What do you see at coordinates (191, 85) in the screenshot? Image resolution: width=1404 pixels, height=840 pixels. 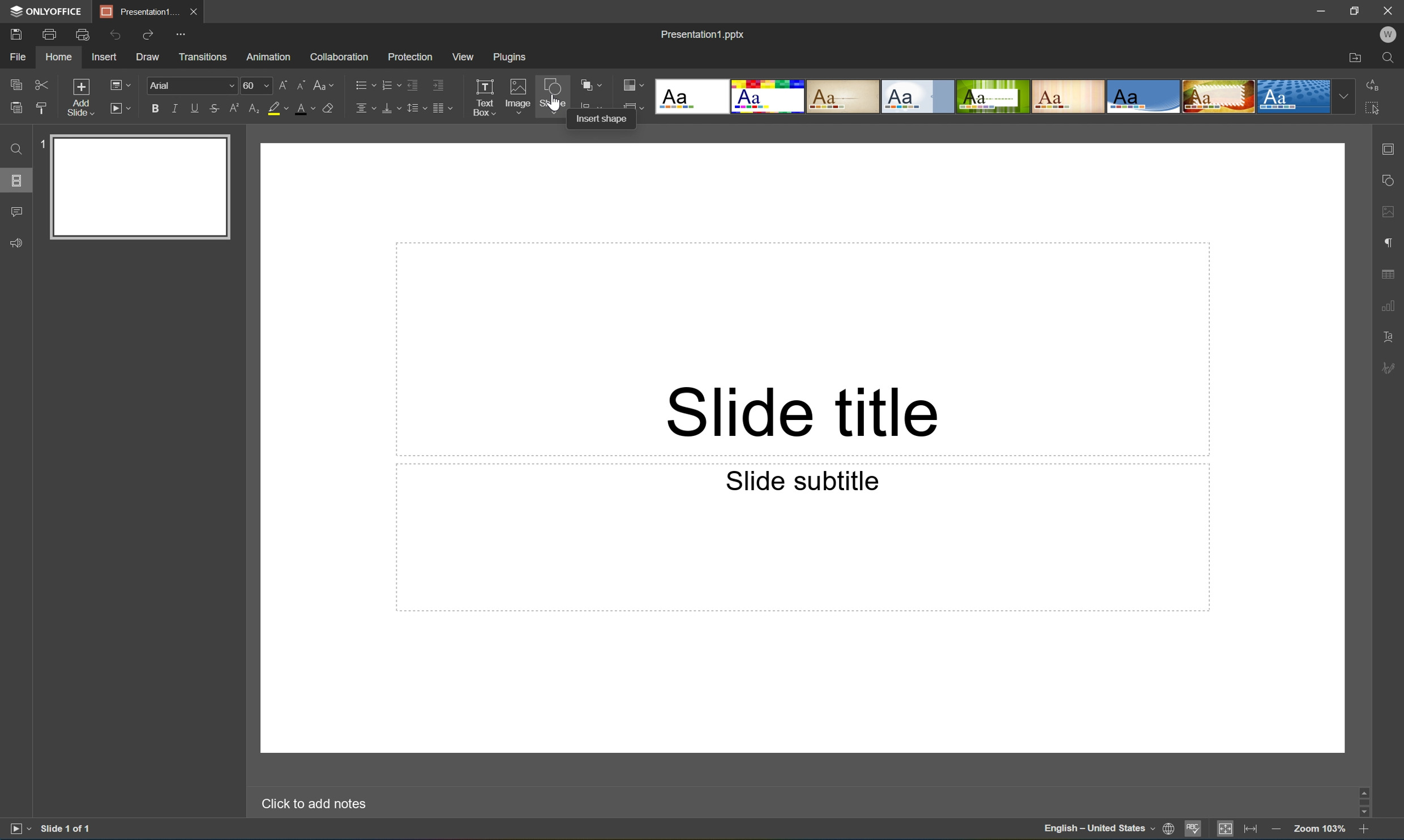 I see `Font` at bounding box center [191, 85].